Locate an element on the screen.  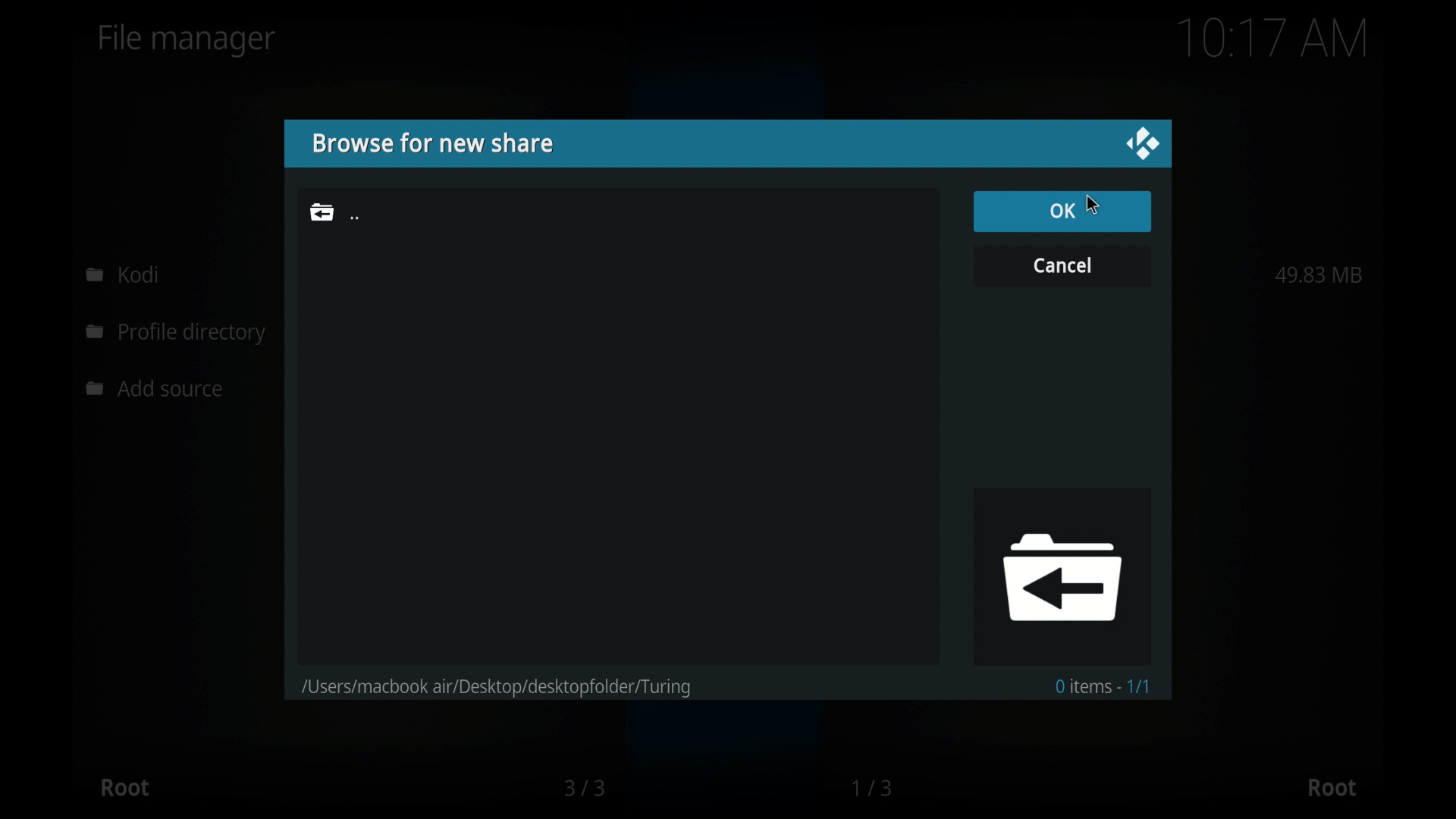
cancel is located at coordinates (1062, 264).